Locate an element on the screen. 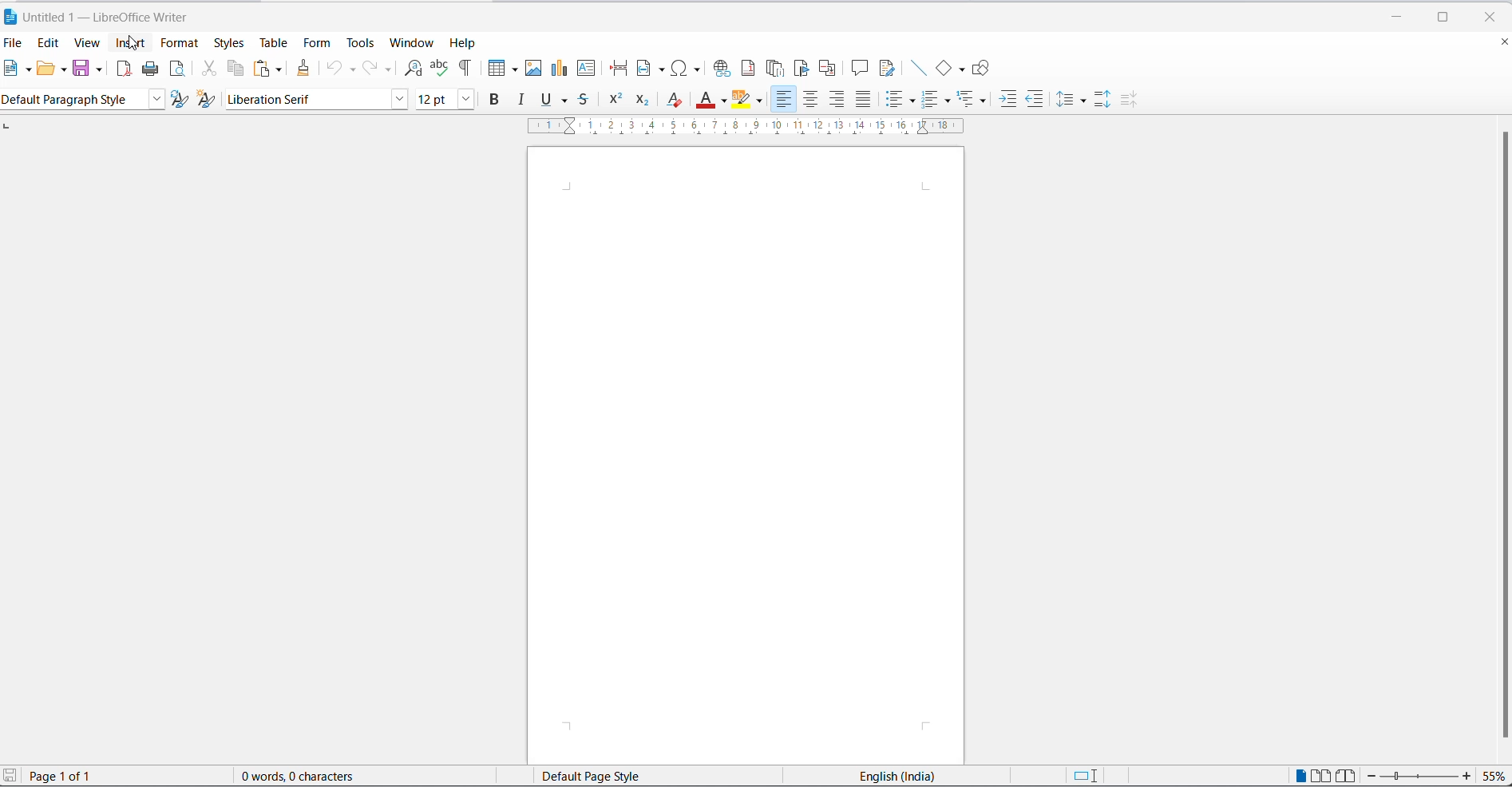  insert line is located at coordinates (917, 69).